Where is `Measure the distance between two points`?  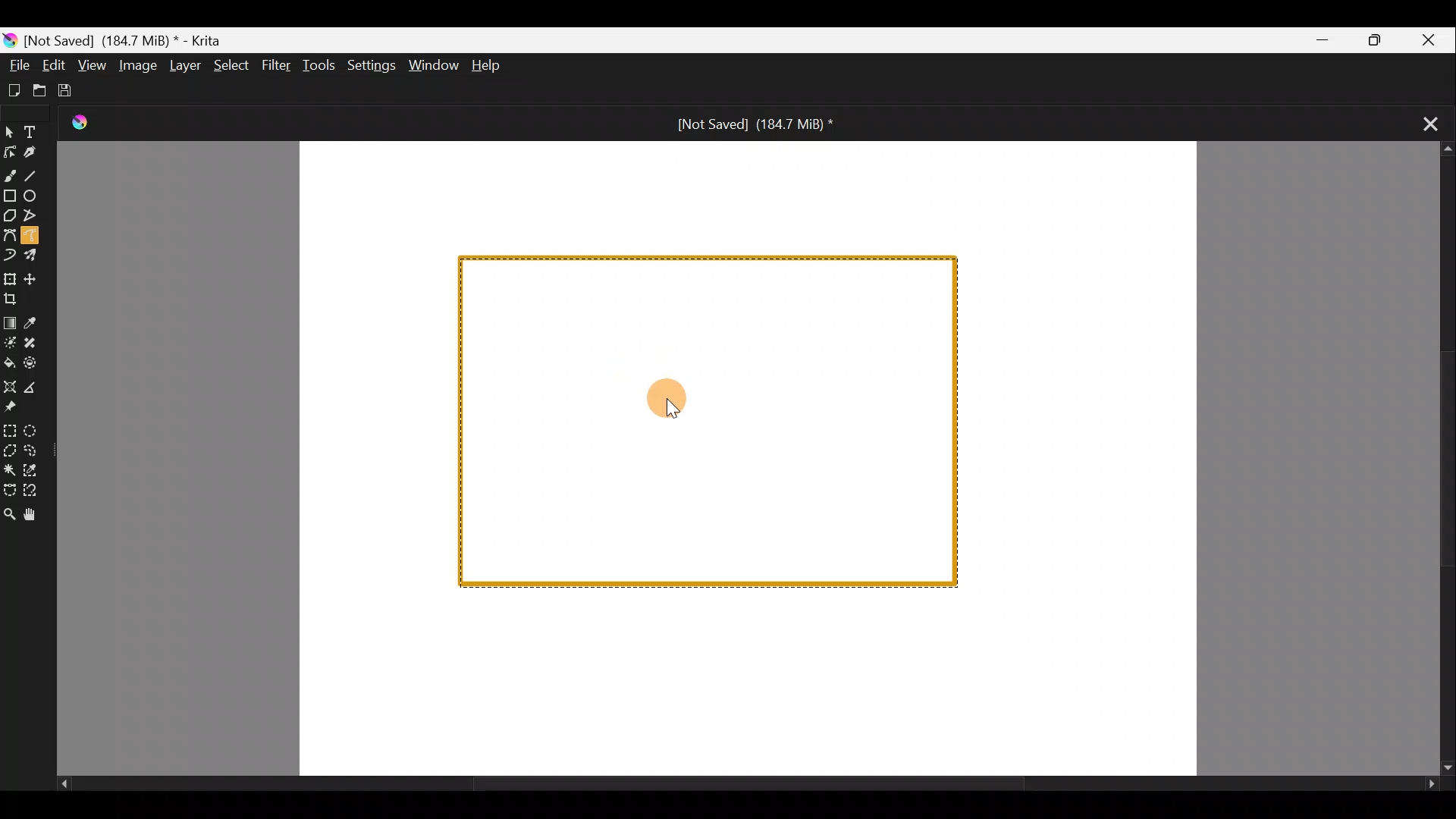
Measure the distance between two points is located at coordinates (32, 388).